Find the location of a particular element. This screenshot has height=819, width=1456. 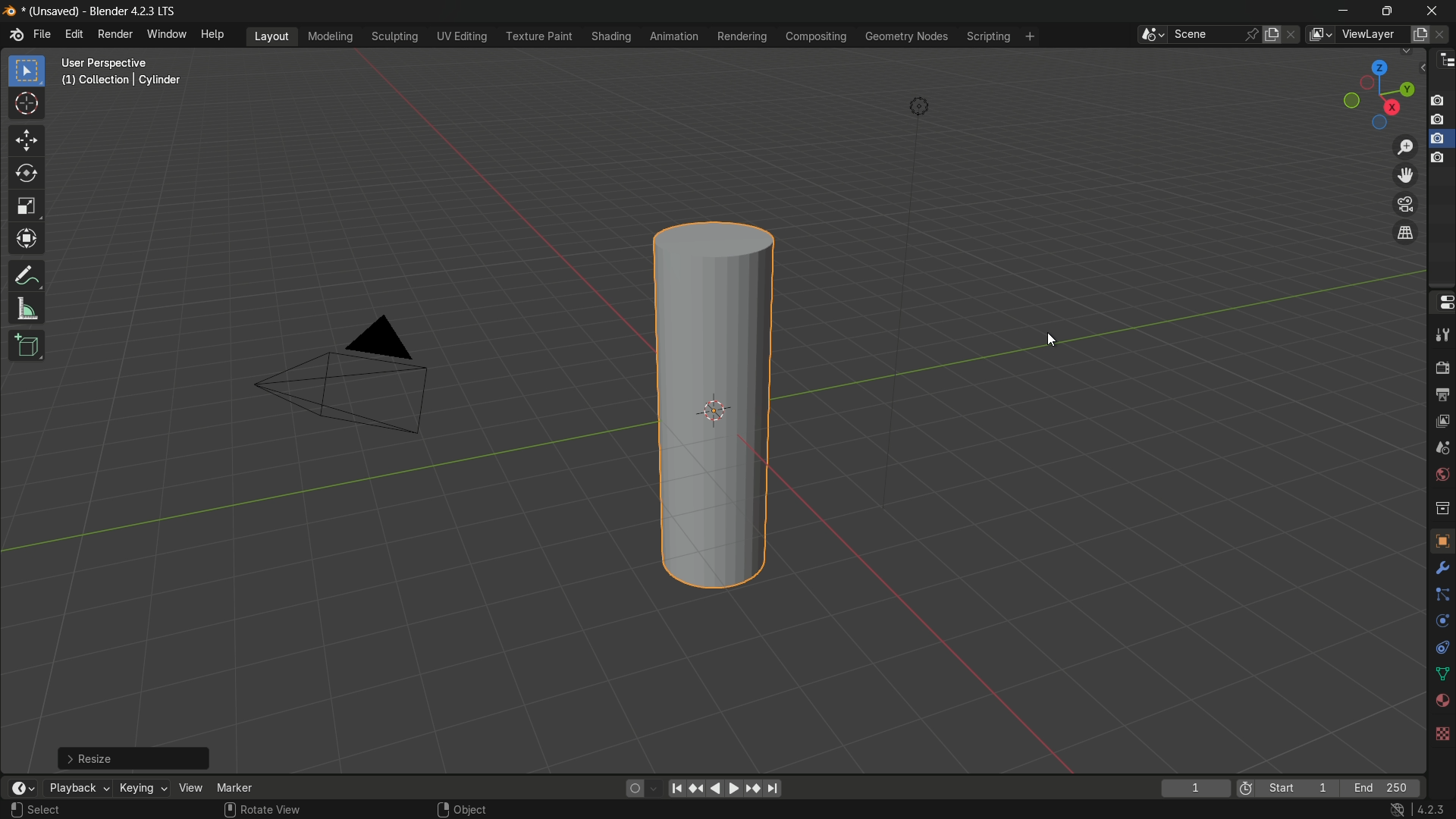

viewLayer is located at coordinates (1369, 35).